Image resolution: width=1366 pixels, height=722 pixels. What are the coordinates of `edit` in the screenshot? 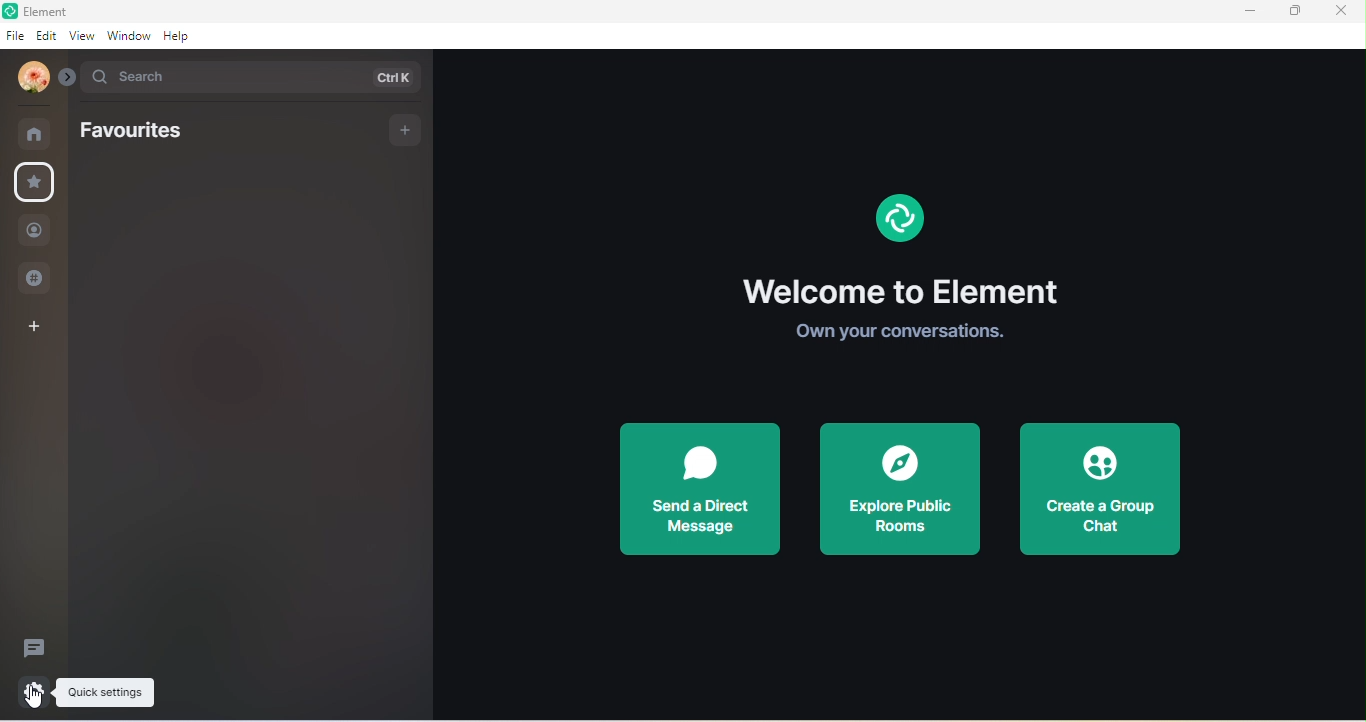 It's located at (45, 35).